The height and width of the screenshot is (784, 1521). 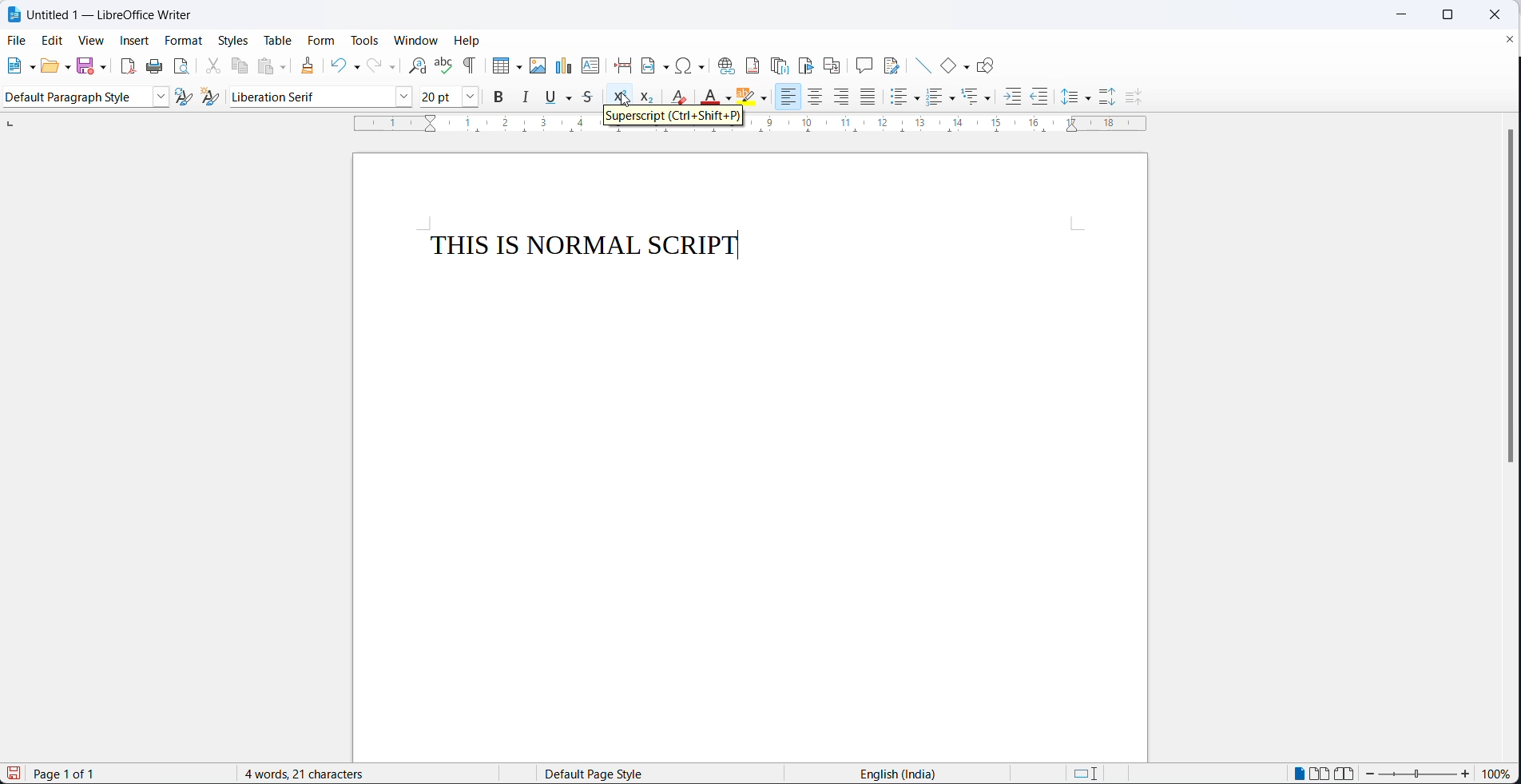 What do you see at coordinates (935, 97) in the screenshot?
I see `toggle ordered list` at bounding box center [935, 97].